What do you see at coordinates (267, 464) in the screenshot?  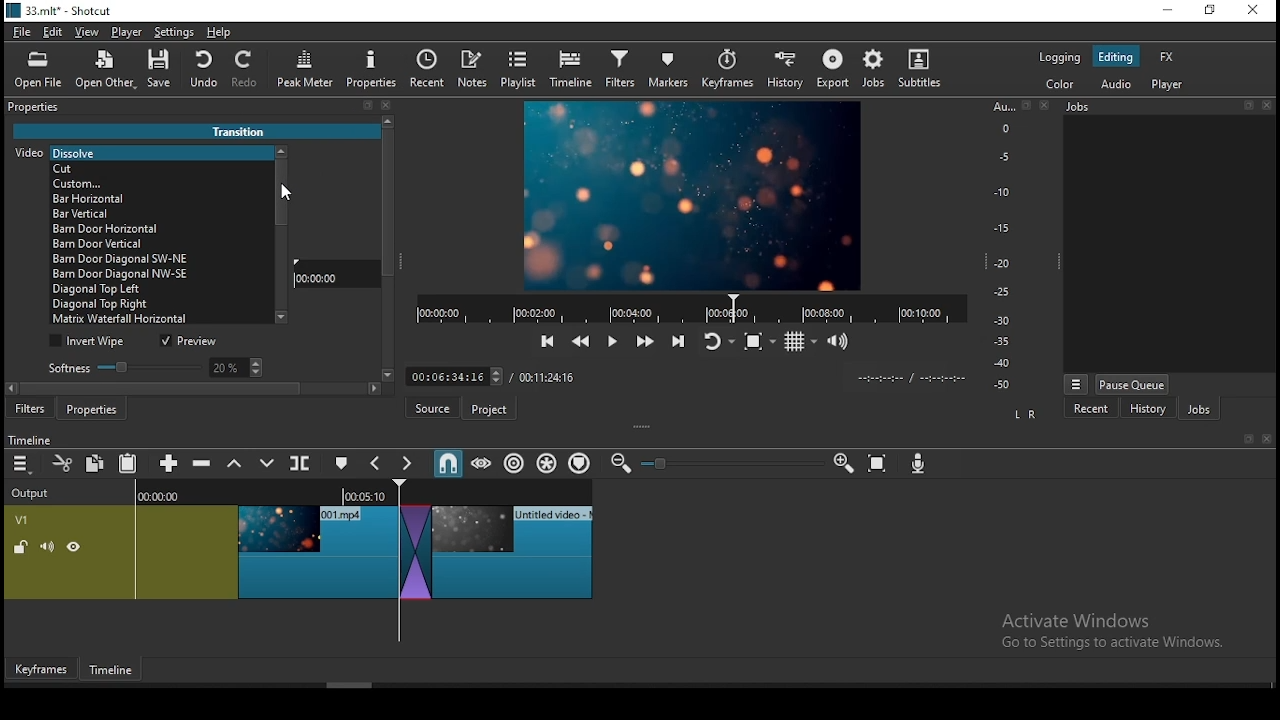 I see `overwrite` at bounding box center [267, 464].